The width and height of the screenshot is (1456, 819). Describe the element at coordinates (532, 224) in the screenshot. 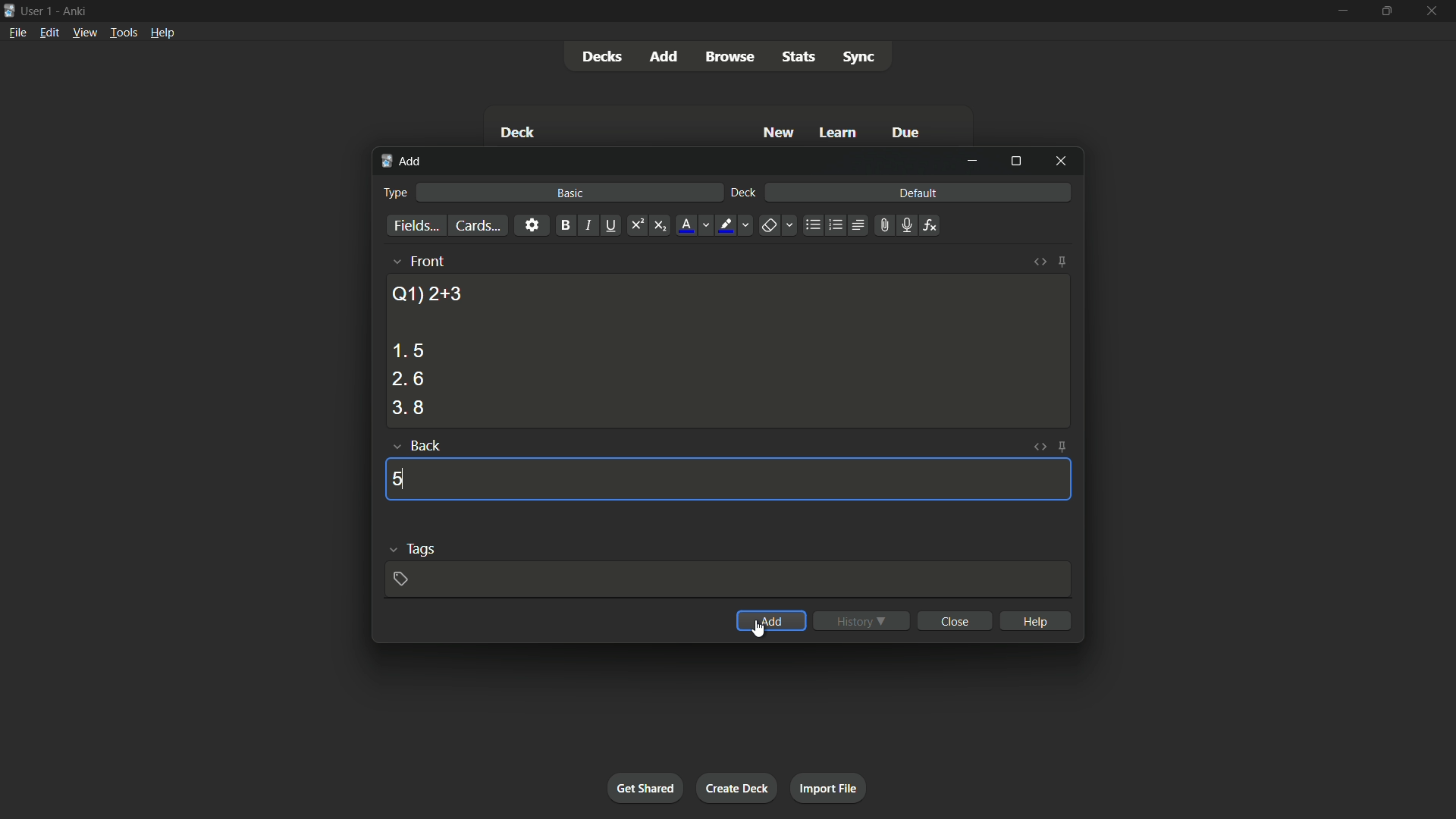

I see `settings` at that location.